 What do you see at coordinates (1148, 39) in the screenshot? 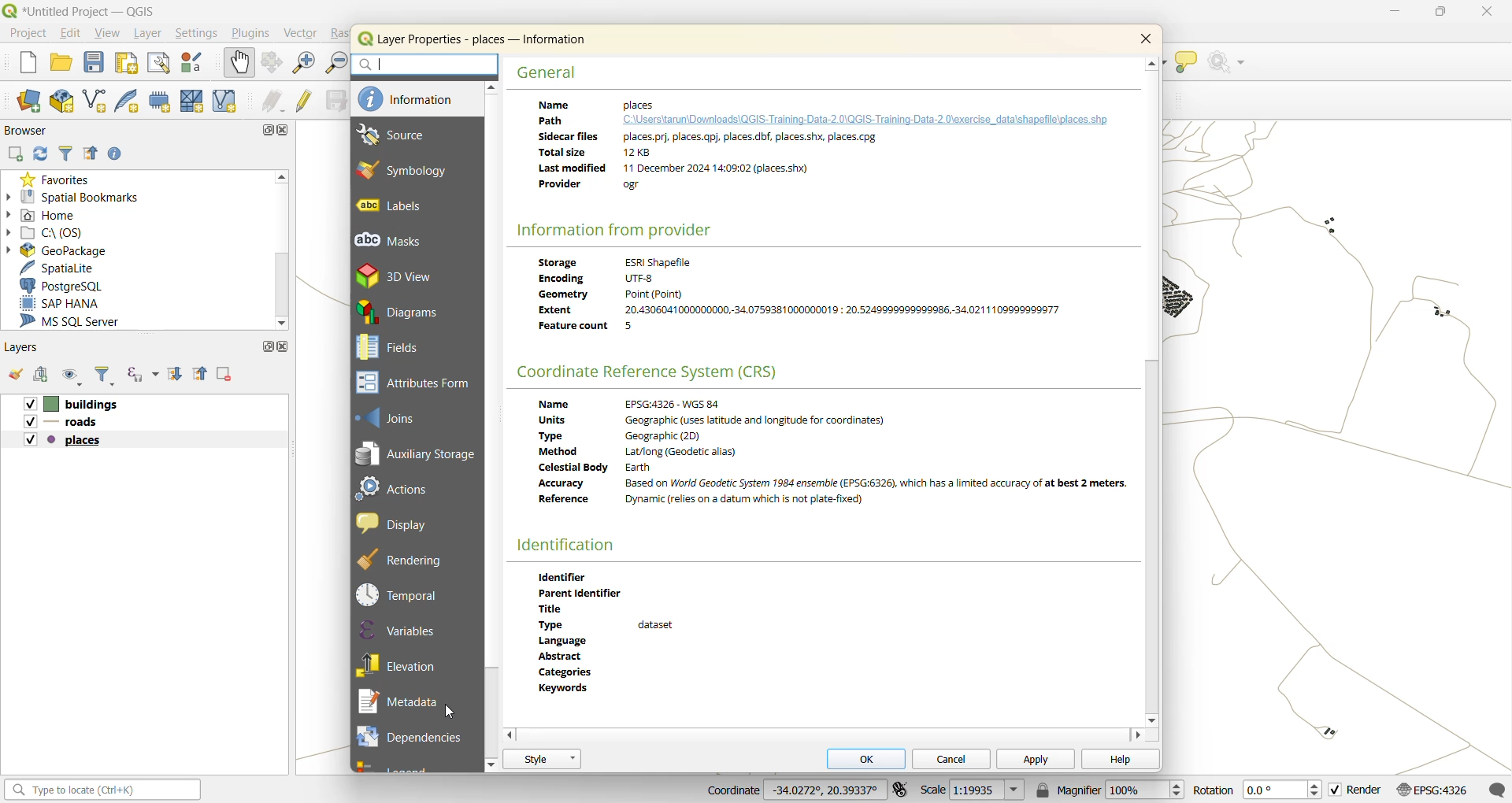
I see `close` at bounding box center [1148, 39].